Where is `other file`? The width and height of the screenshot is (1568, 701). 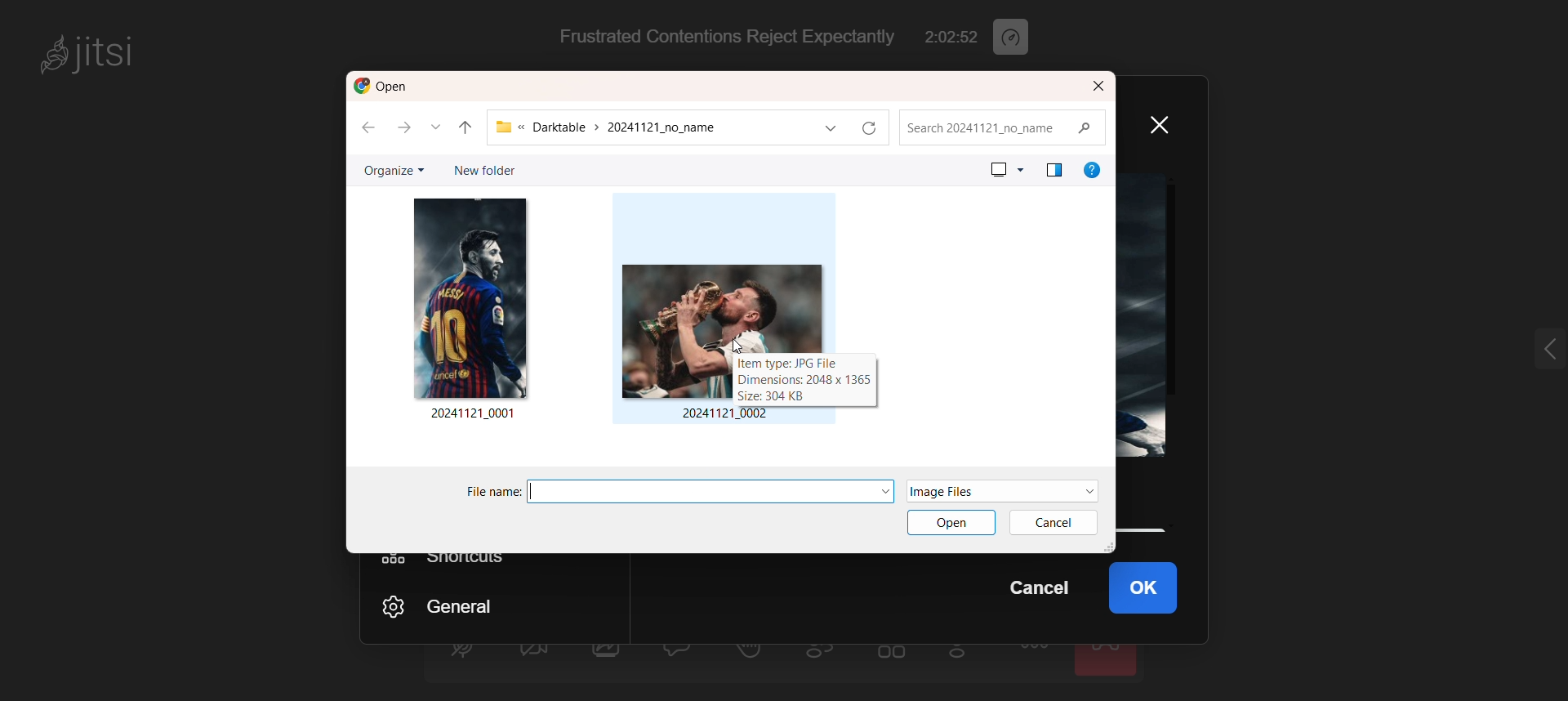 other file is located at coordinates (470, 296).